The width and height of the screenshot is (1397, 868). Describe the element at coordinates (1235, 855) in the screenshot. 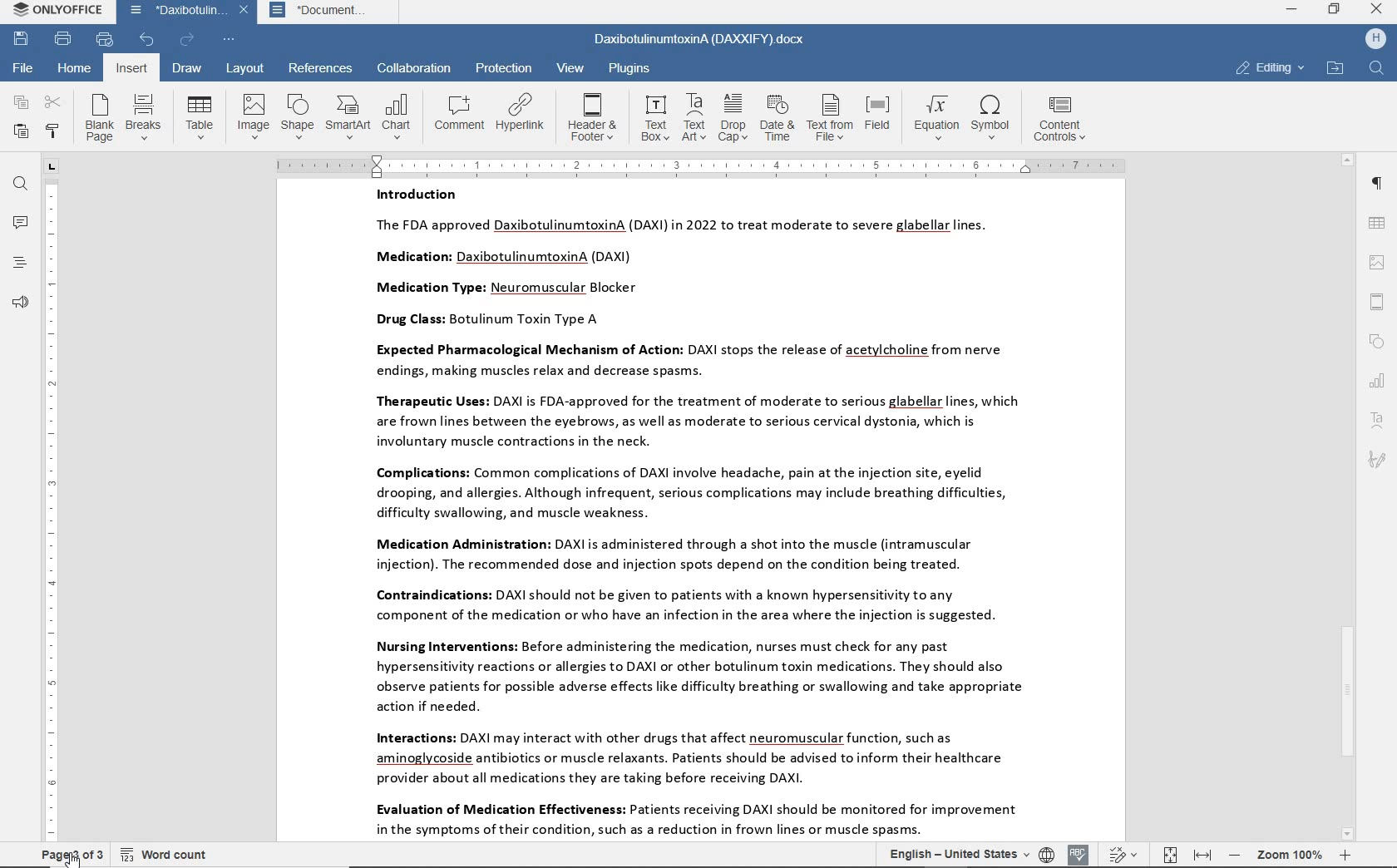

I see `zoom out` at that location.